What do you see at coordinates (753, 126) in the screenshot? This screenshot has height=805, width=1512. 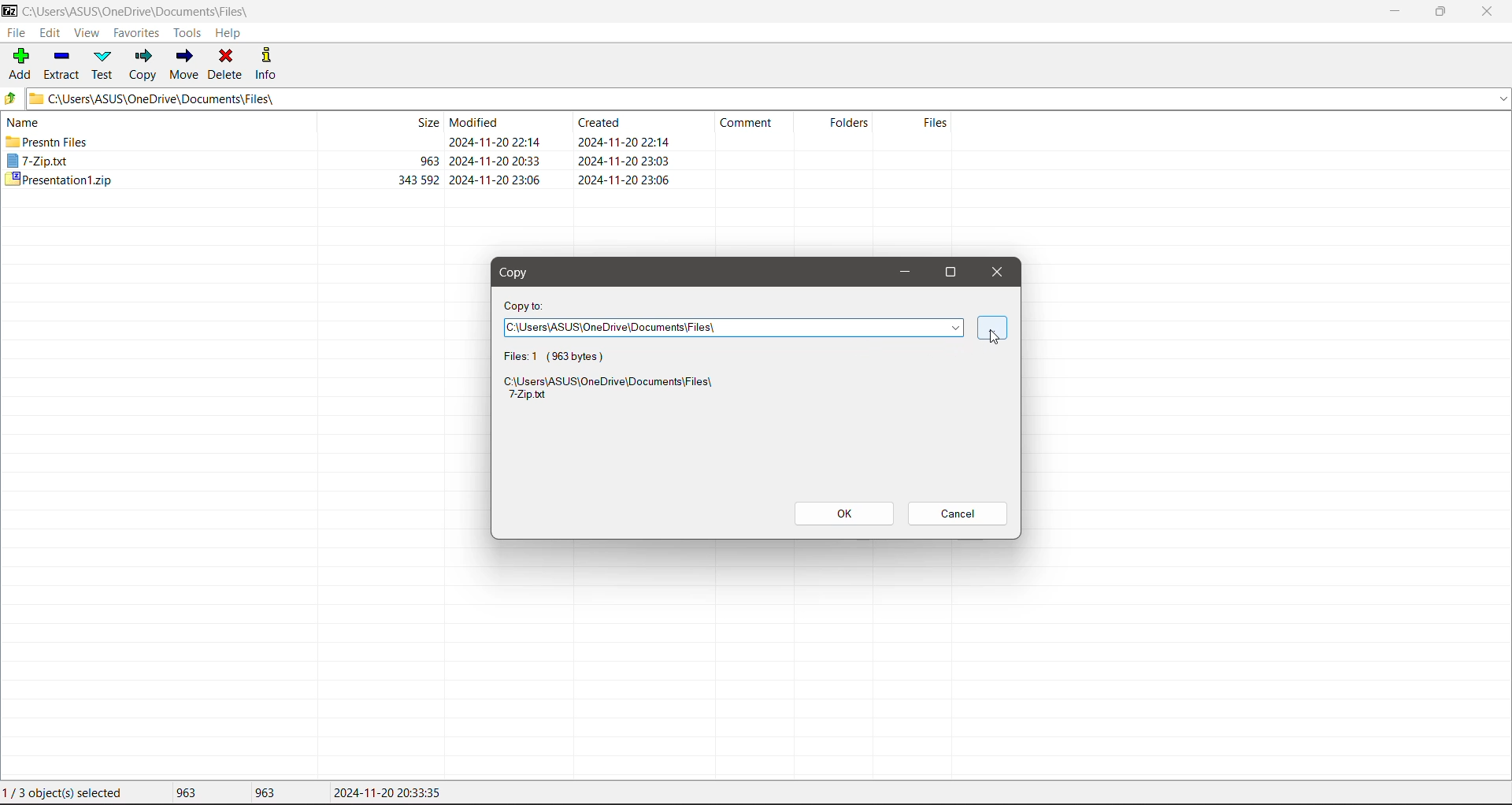 I see `Comment` at bounding box center [753, 126].